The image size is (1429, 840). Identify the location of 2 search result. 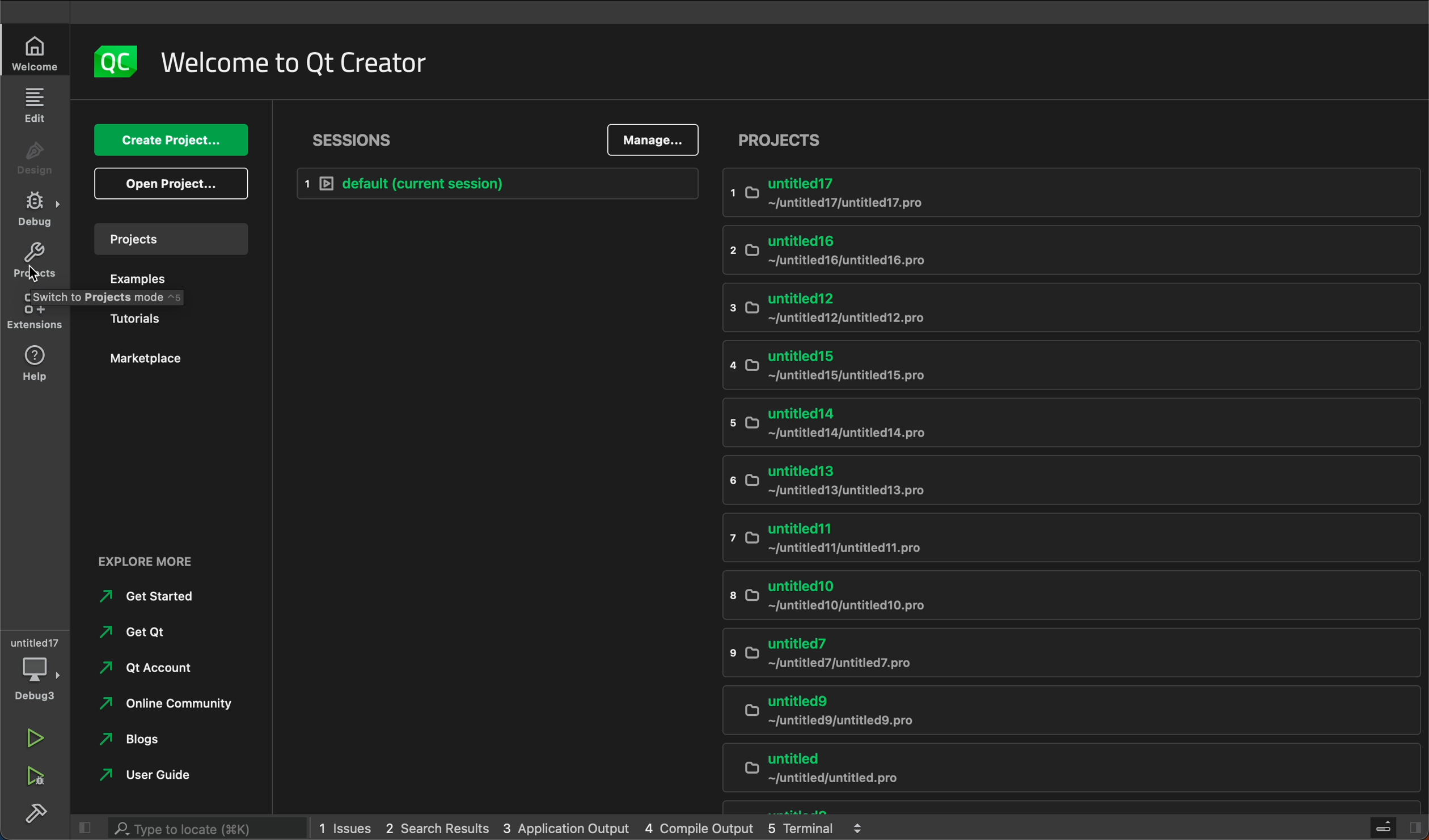
(439, 828).